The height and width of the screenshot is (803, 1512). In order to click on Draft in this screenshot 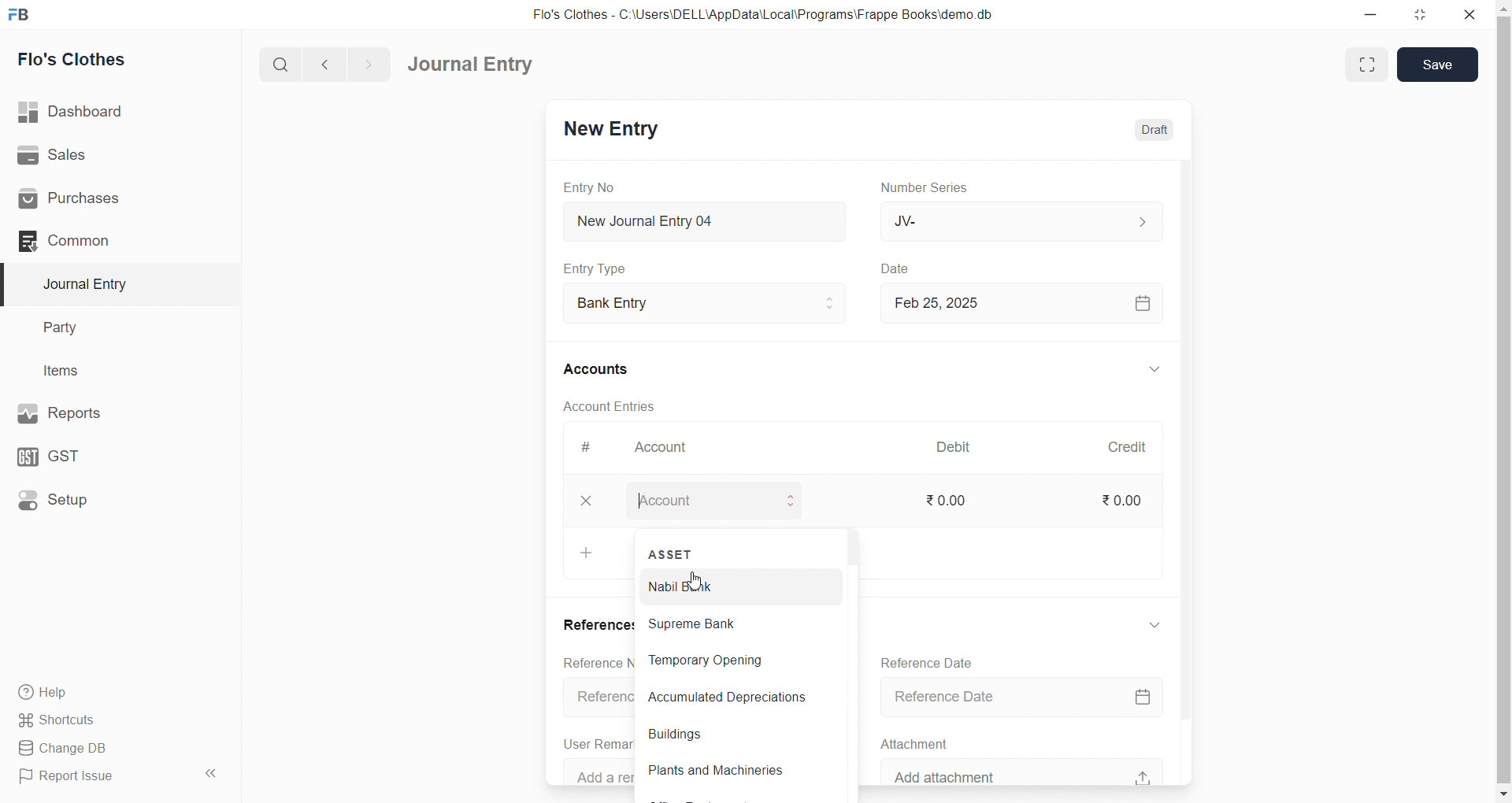, I will do `click(1153, 130)`.